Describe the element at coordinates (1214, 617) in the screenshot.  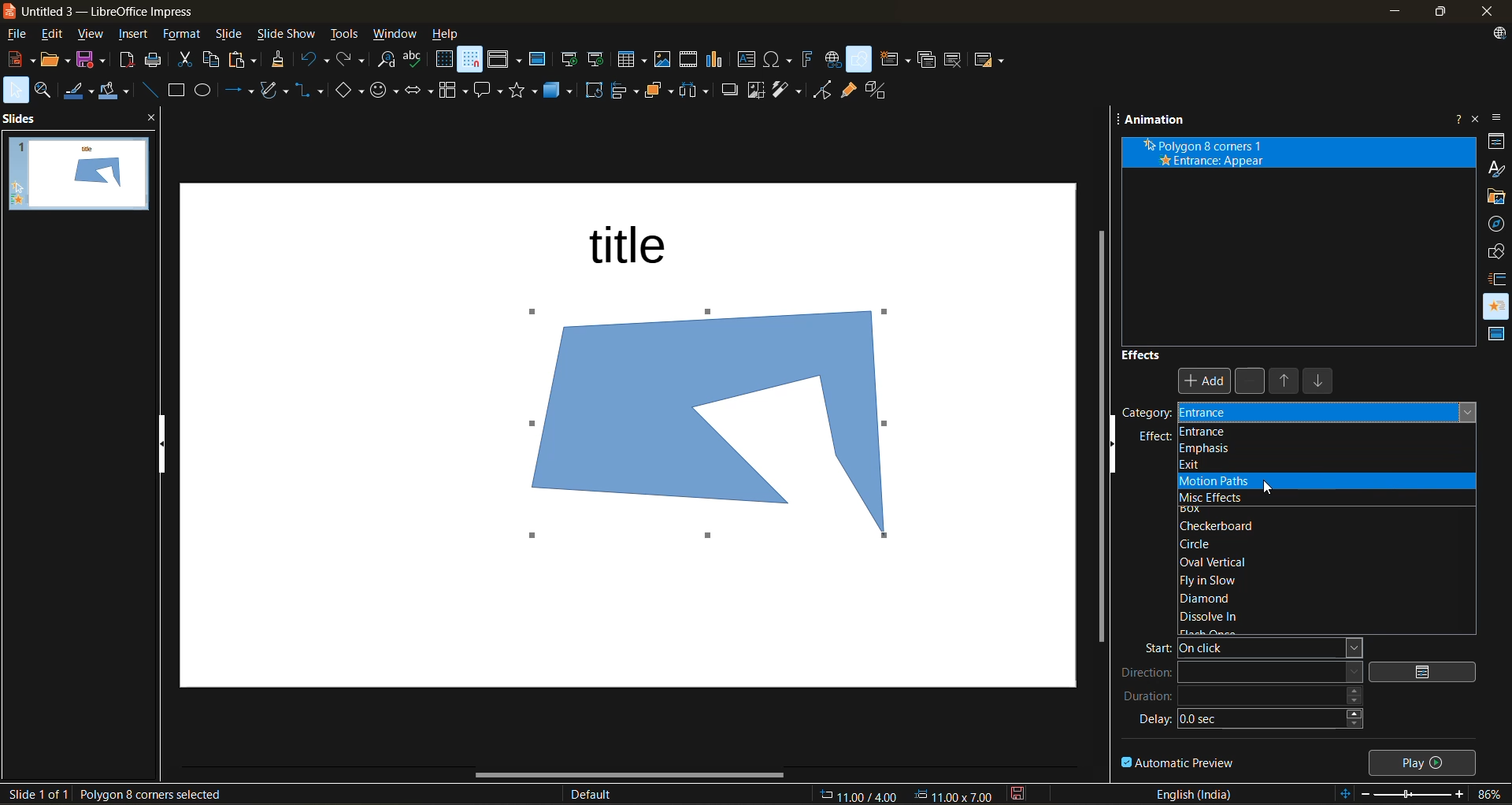
I see `dissolve in` at that location.